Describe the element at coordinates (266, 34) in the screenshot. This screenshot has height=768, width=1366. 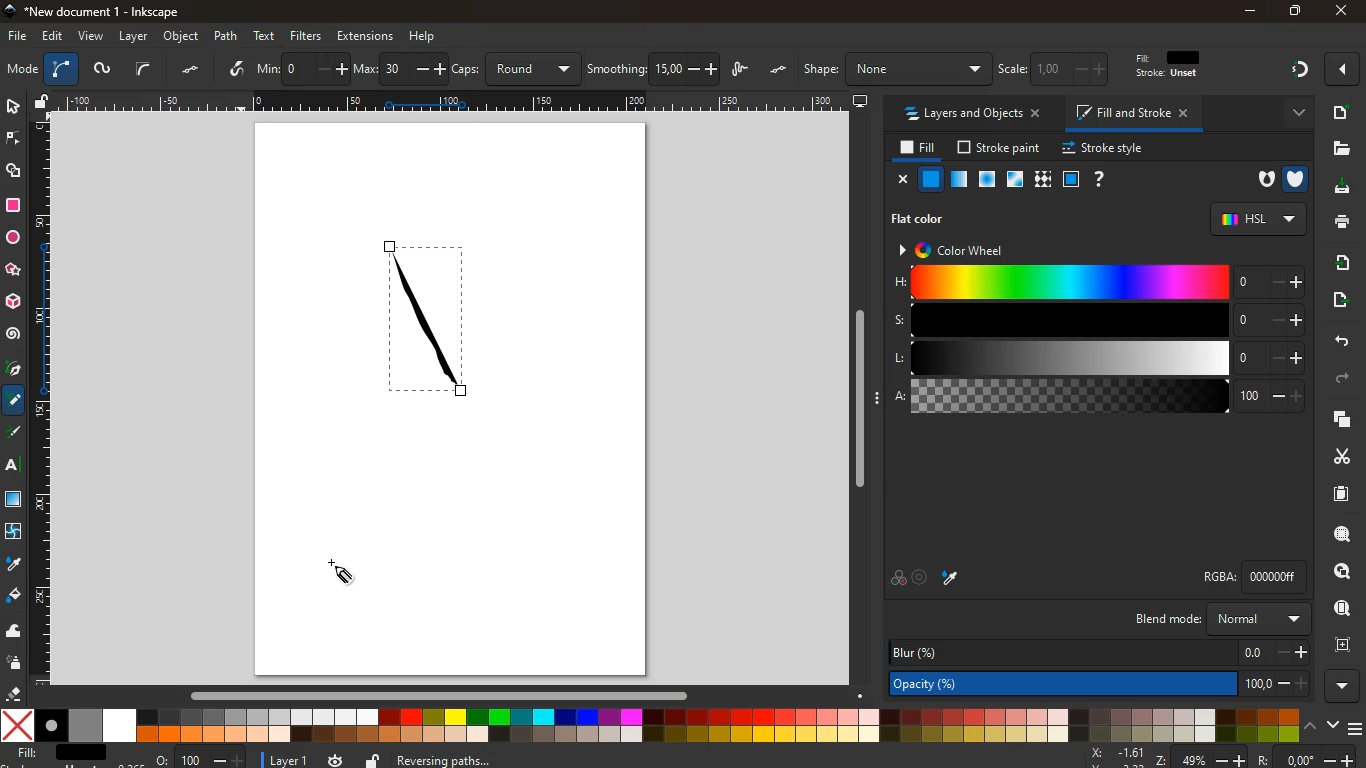
I see `text` at that location.